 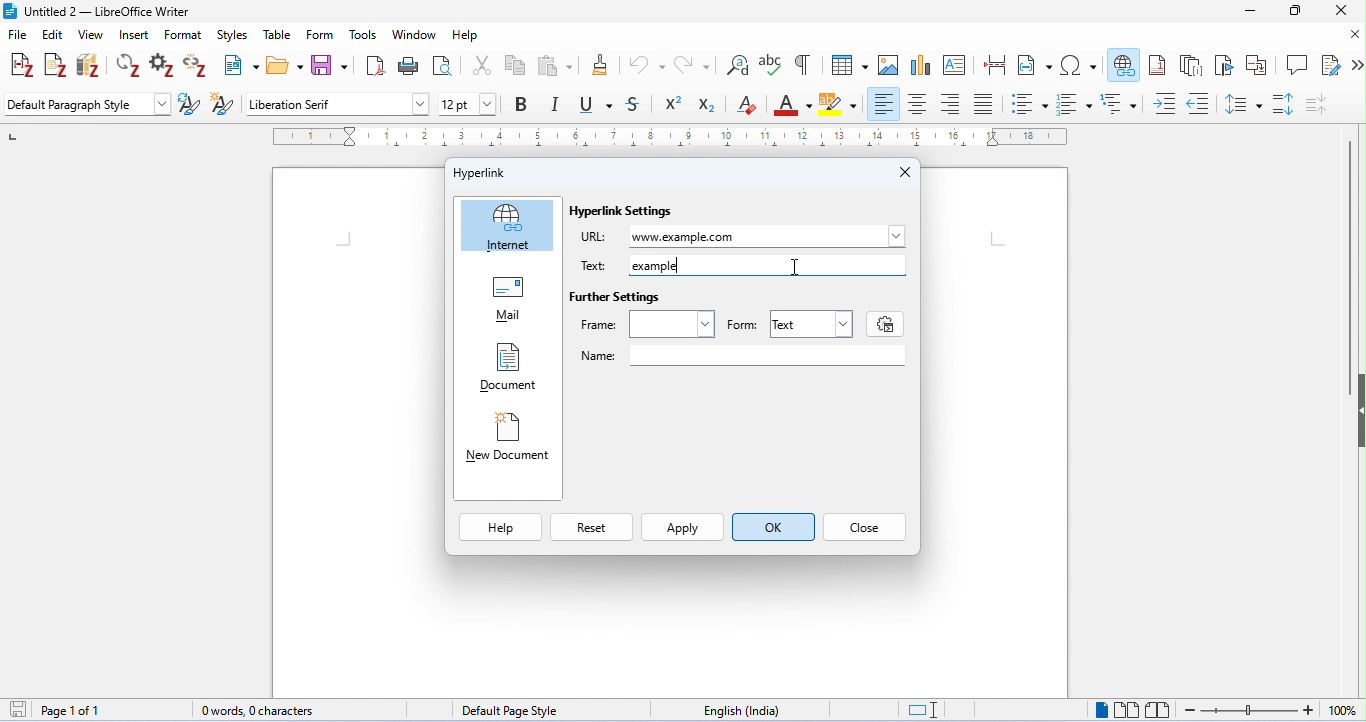 What do you see at coordinates (796, 322) in the screenshot?
I see `Text` at bounding box center [796, 322].